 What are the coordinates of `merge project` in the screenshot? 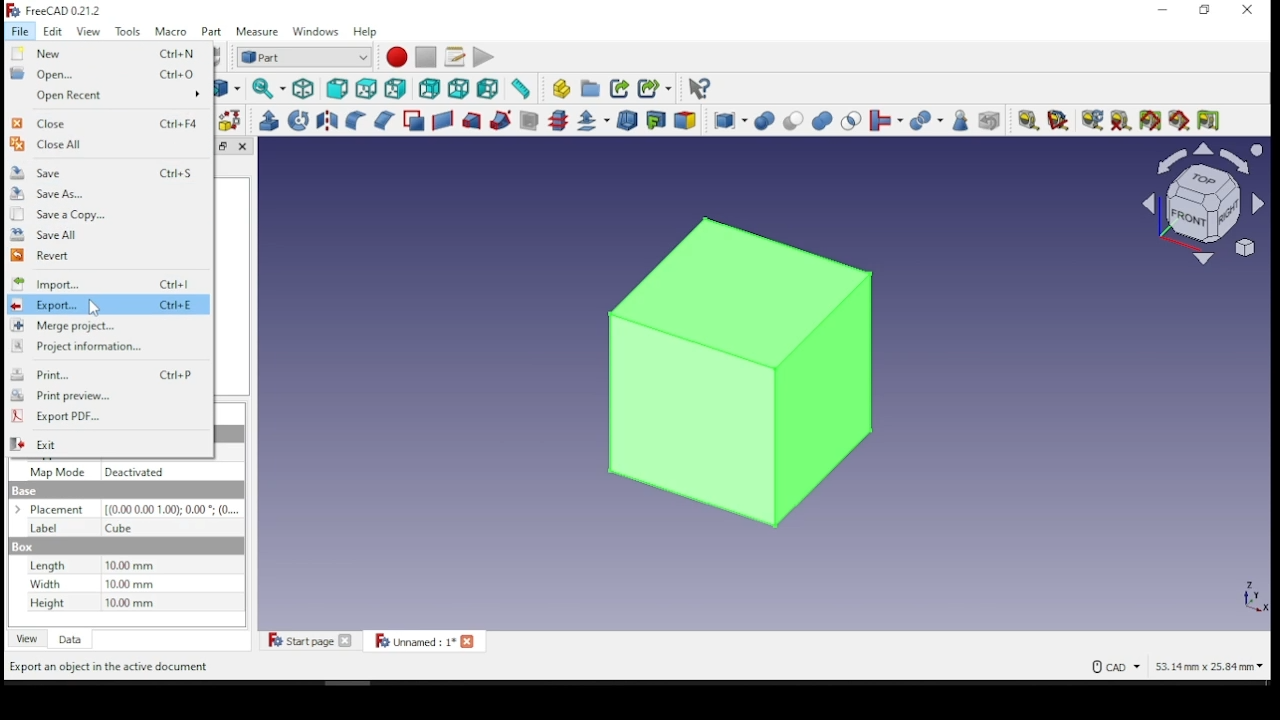 It's located at (104, 326).